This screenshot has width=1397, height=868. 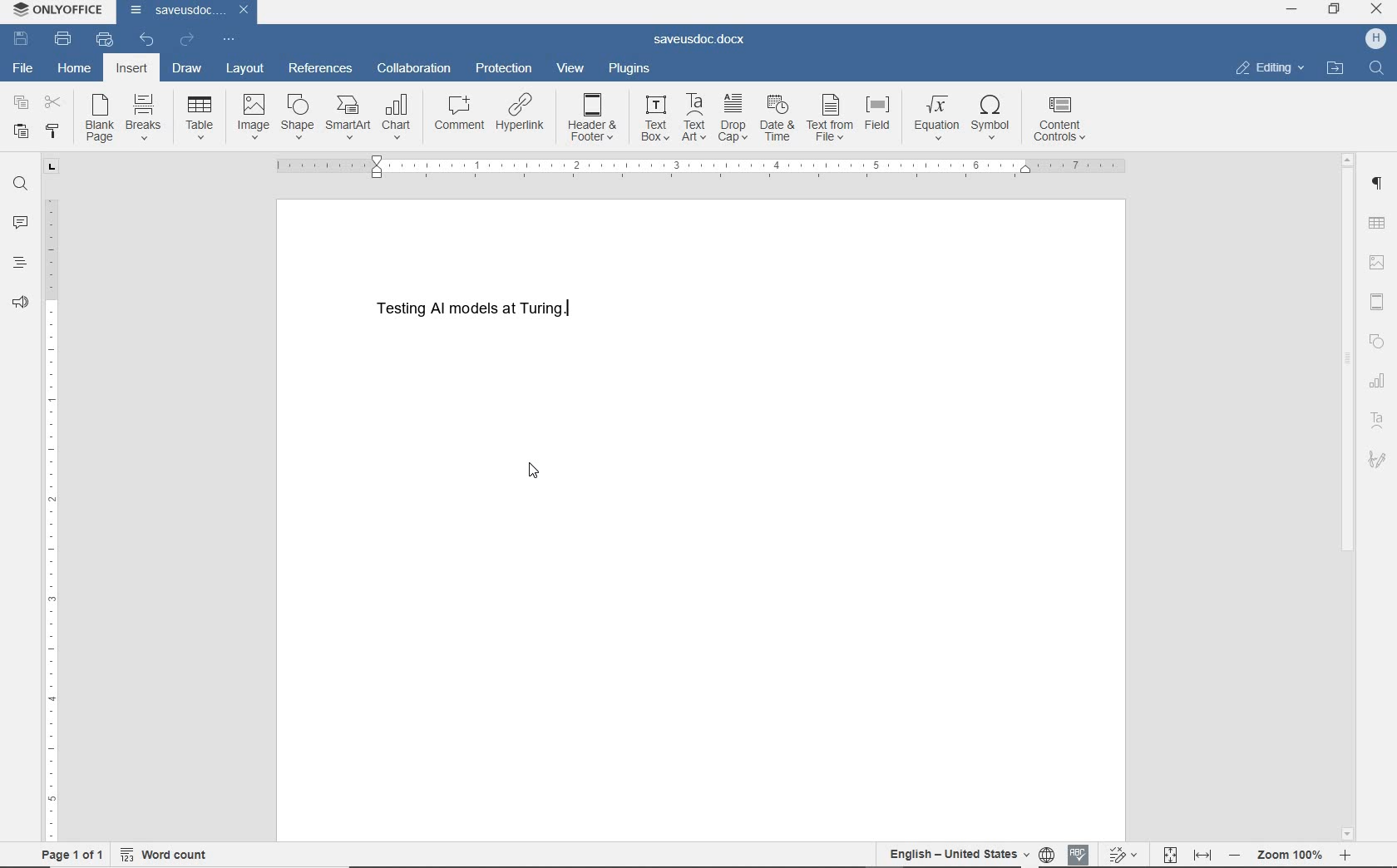 I want to click on ONLYOFFICE (application  name), so click(x=57, y=11).